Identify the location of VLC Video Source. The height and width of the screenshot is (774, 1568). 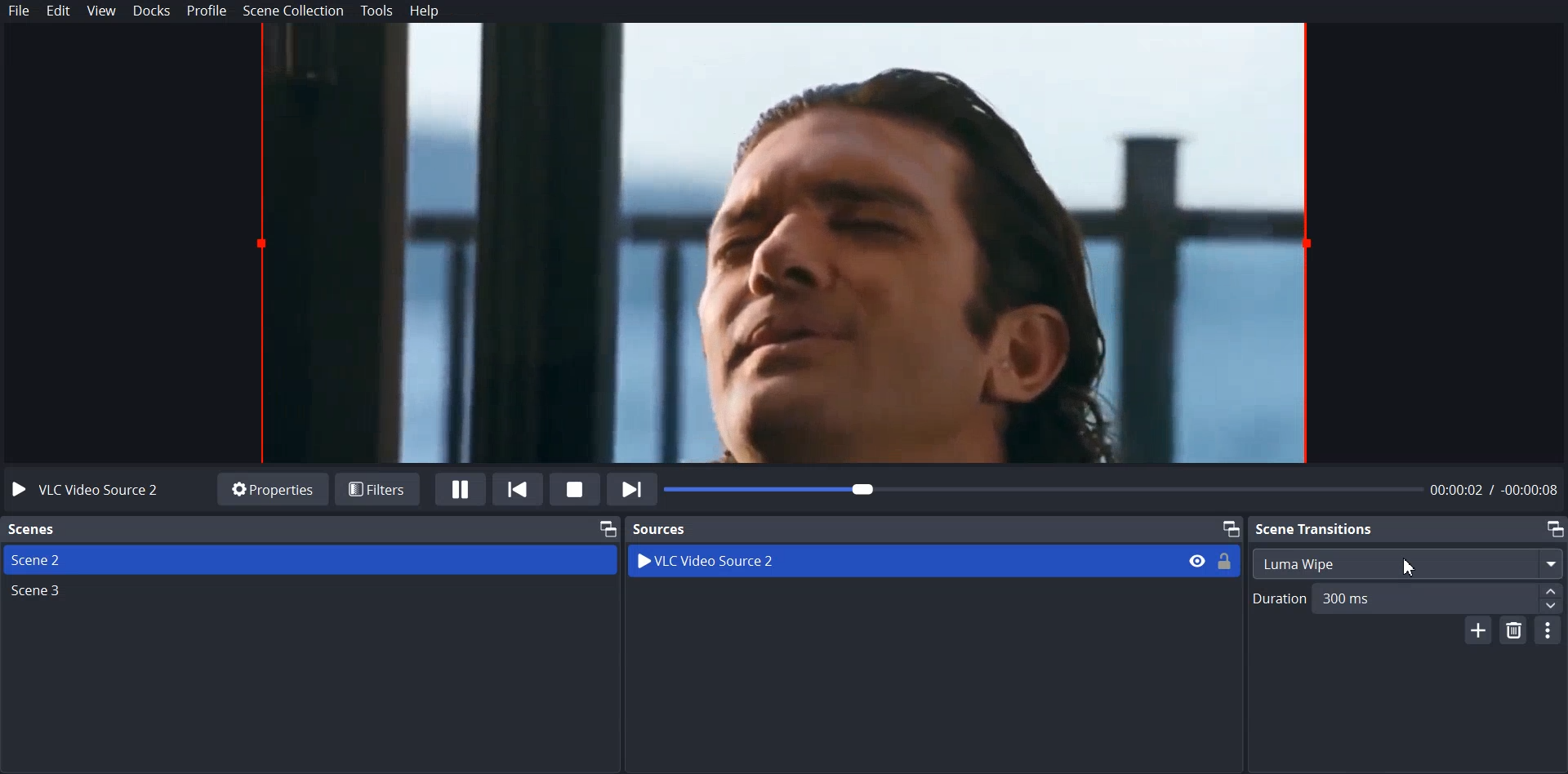
(91, 489).